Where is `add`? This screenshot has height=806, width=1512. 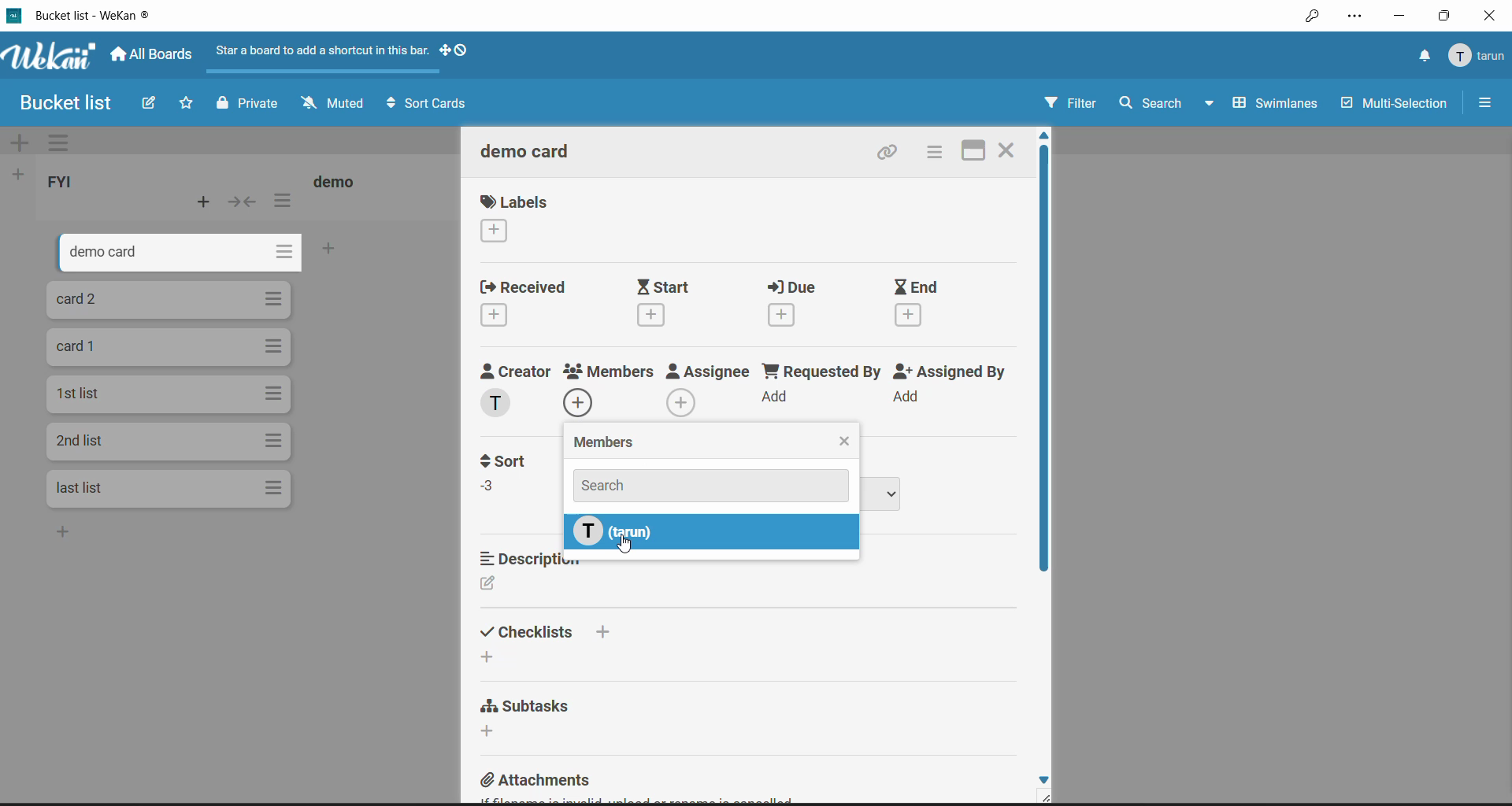 add is located at coordinates (906, 396).